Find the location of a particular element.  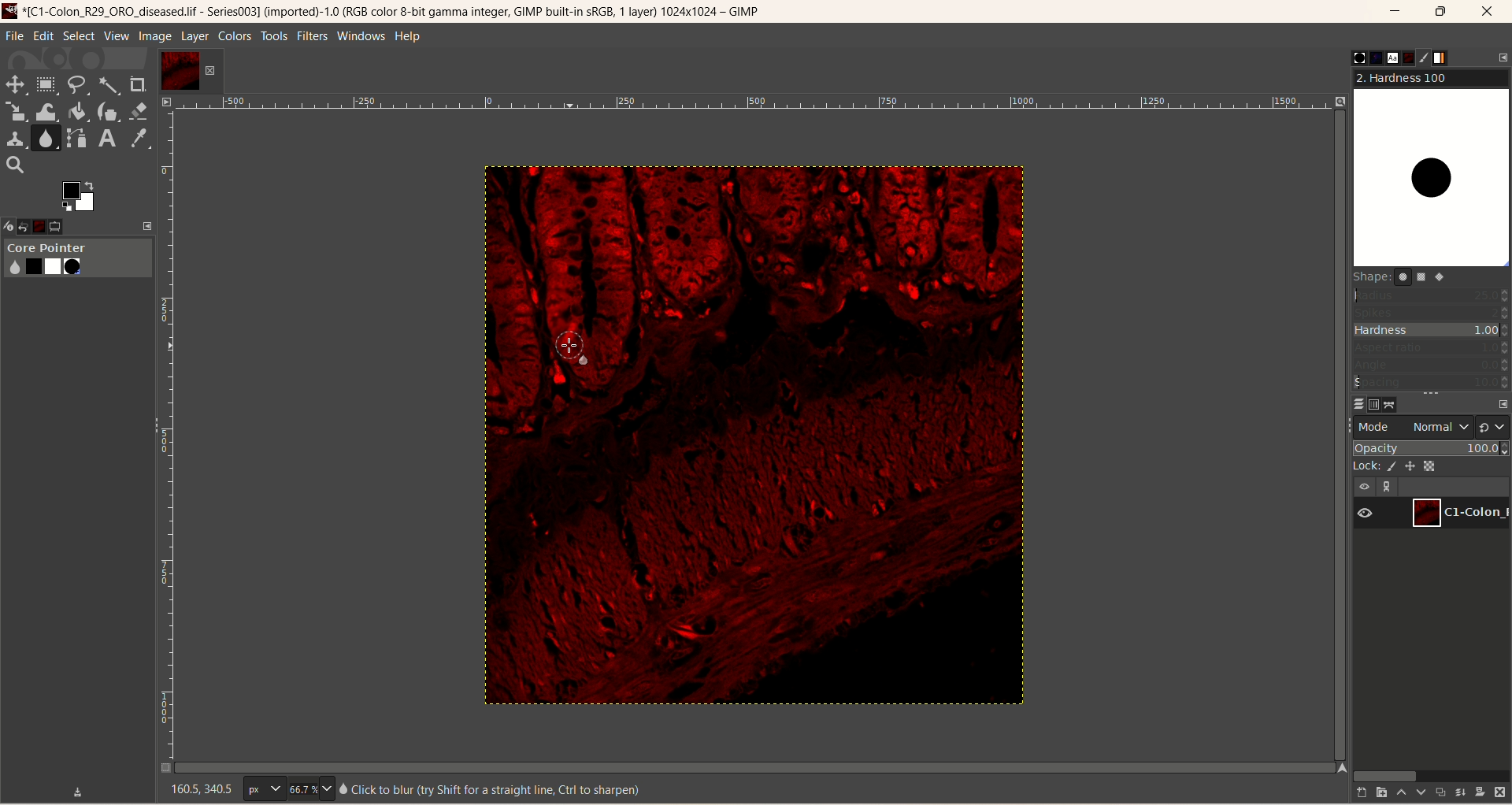

raise this layer one step is located at coordinates (1399, 793).